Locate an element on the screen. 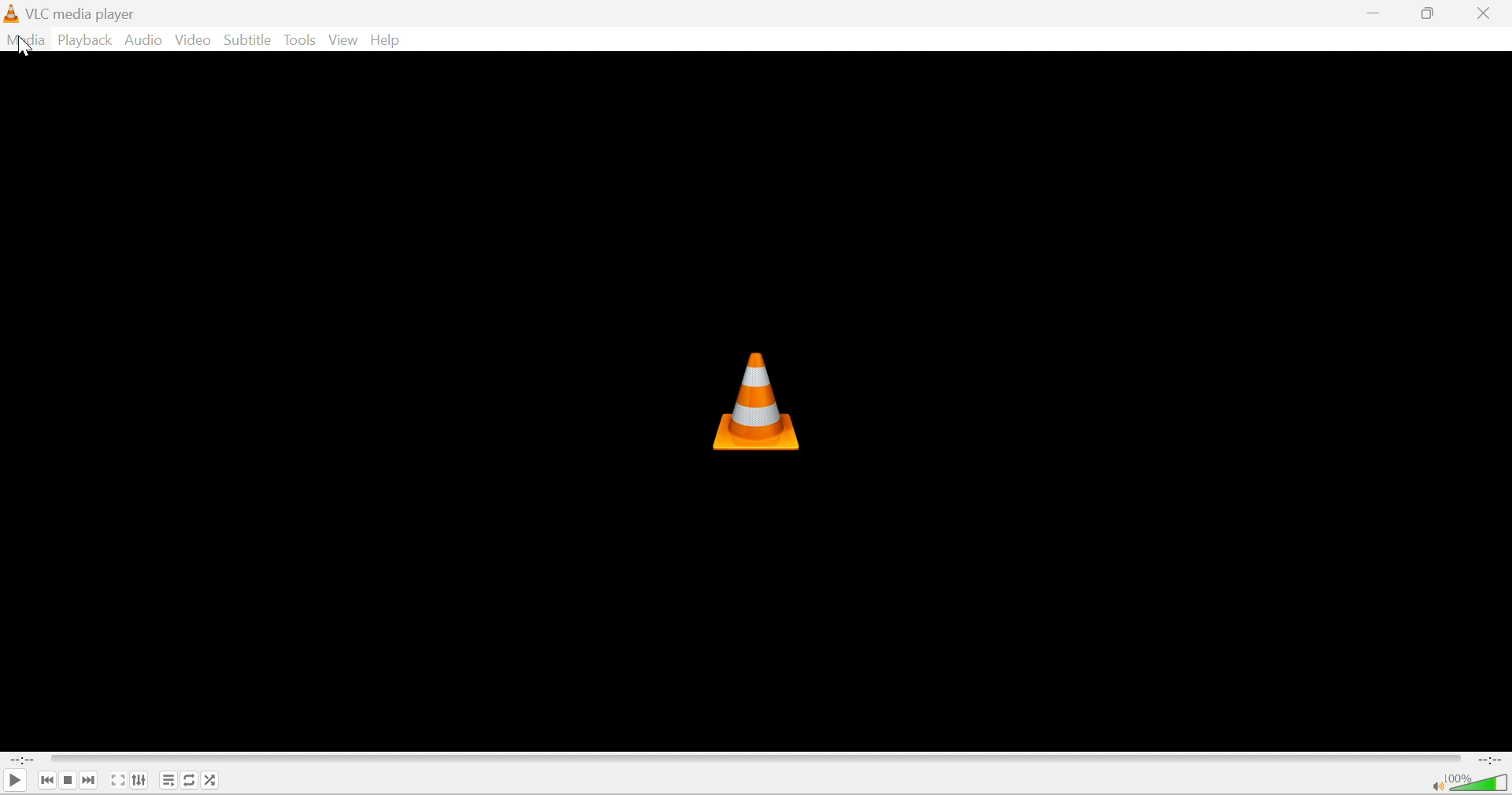 This screenshot has height=795, width=1512. Click to toggle between loop all, loop one and no loop is located at coordinates (190, 779).